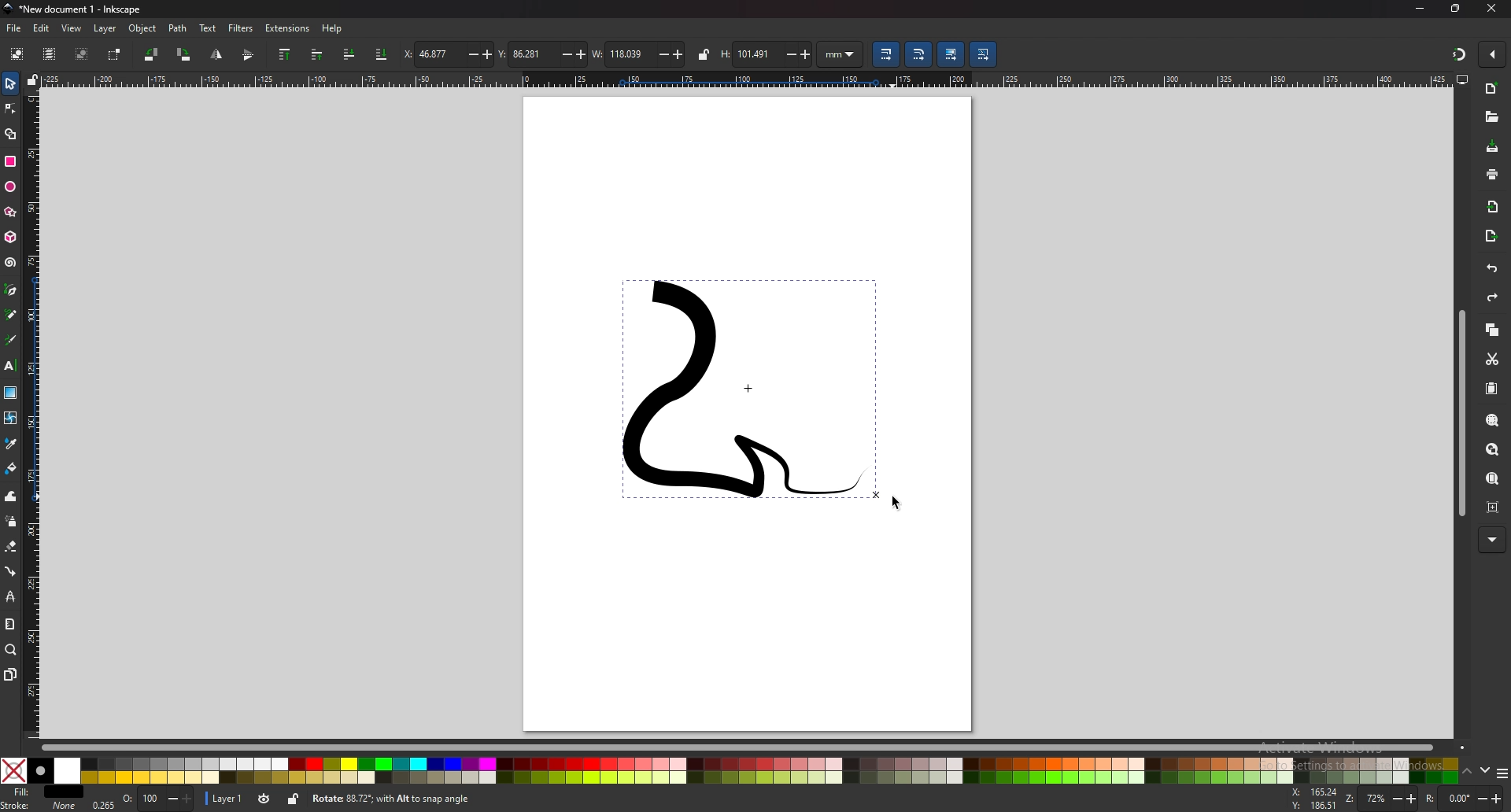 Image resolution: width=1511 pixels, height=812 pixels. Describe the element at coordinates (208, 28) in the screenshot. I see `text` at that location.